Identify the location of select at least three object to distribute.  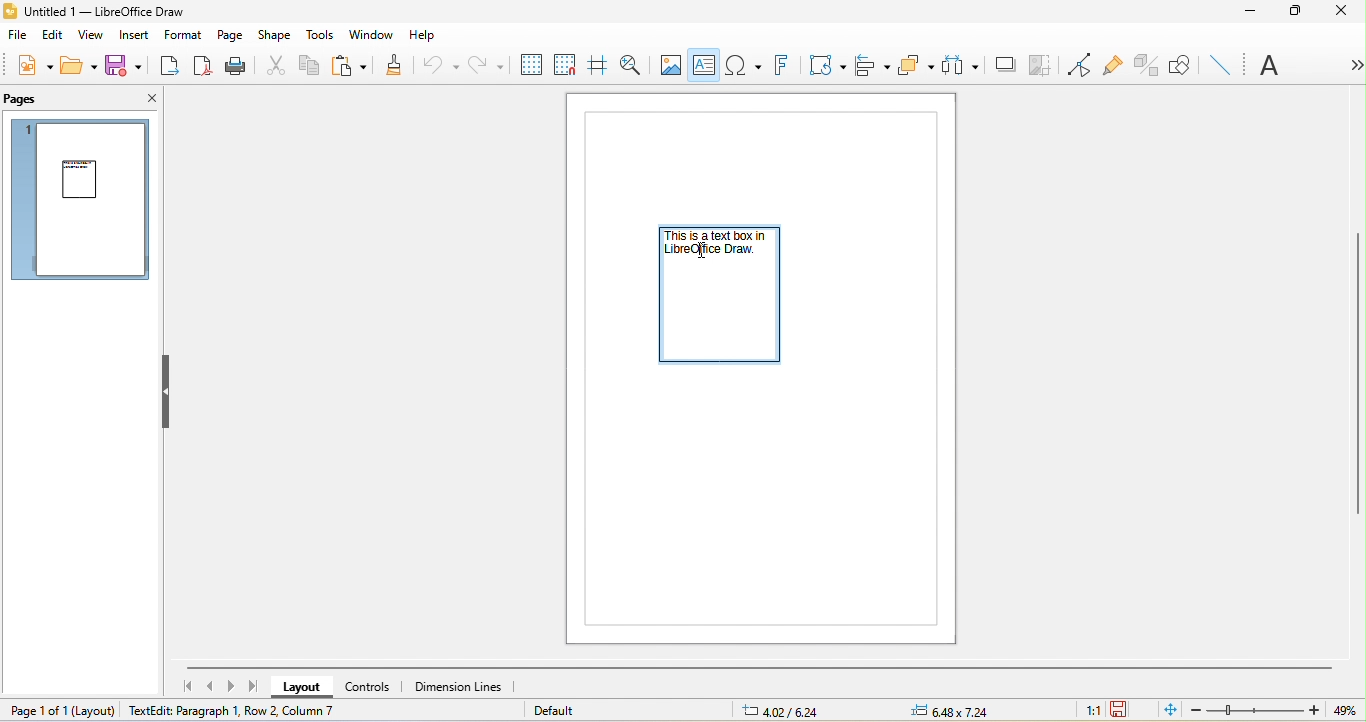
(959, 65).